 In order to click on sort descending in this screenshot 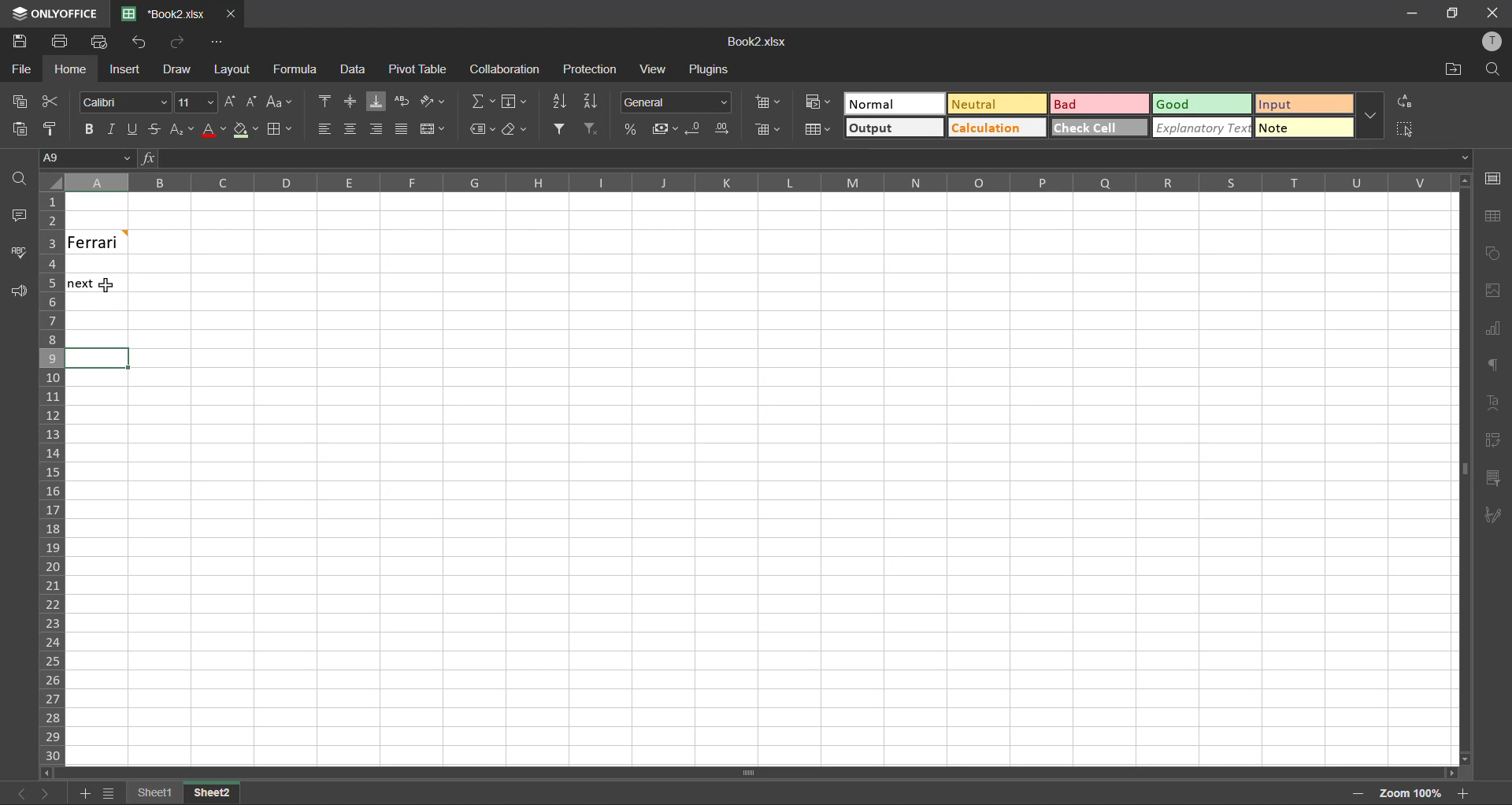, I will do `click(591, 103)`.